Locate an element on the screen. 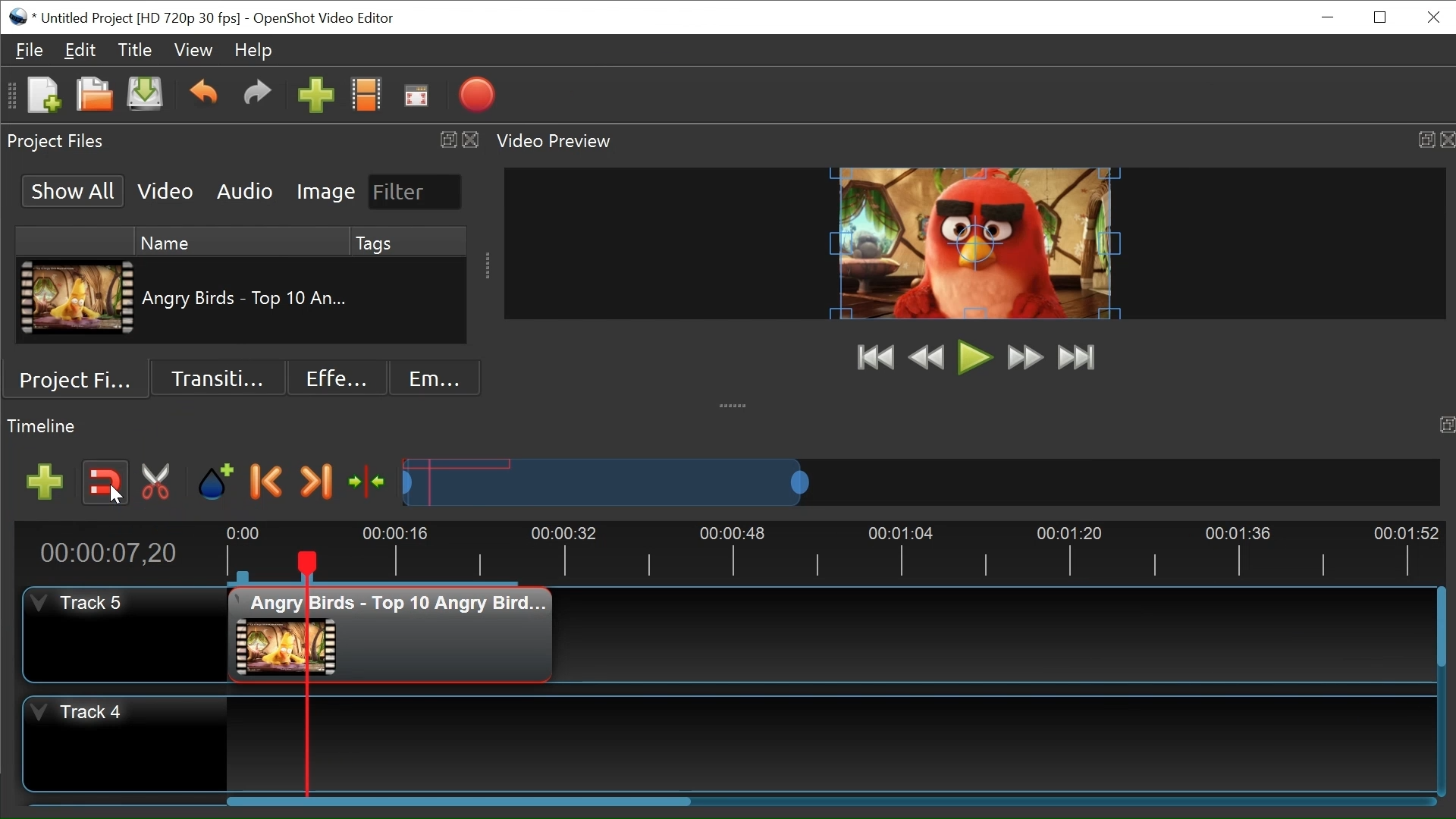  Fullscreen is located at coordinates (415, 95).